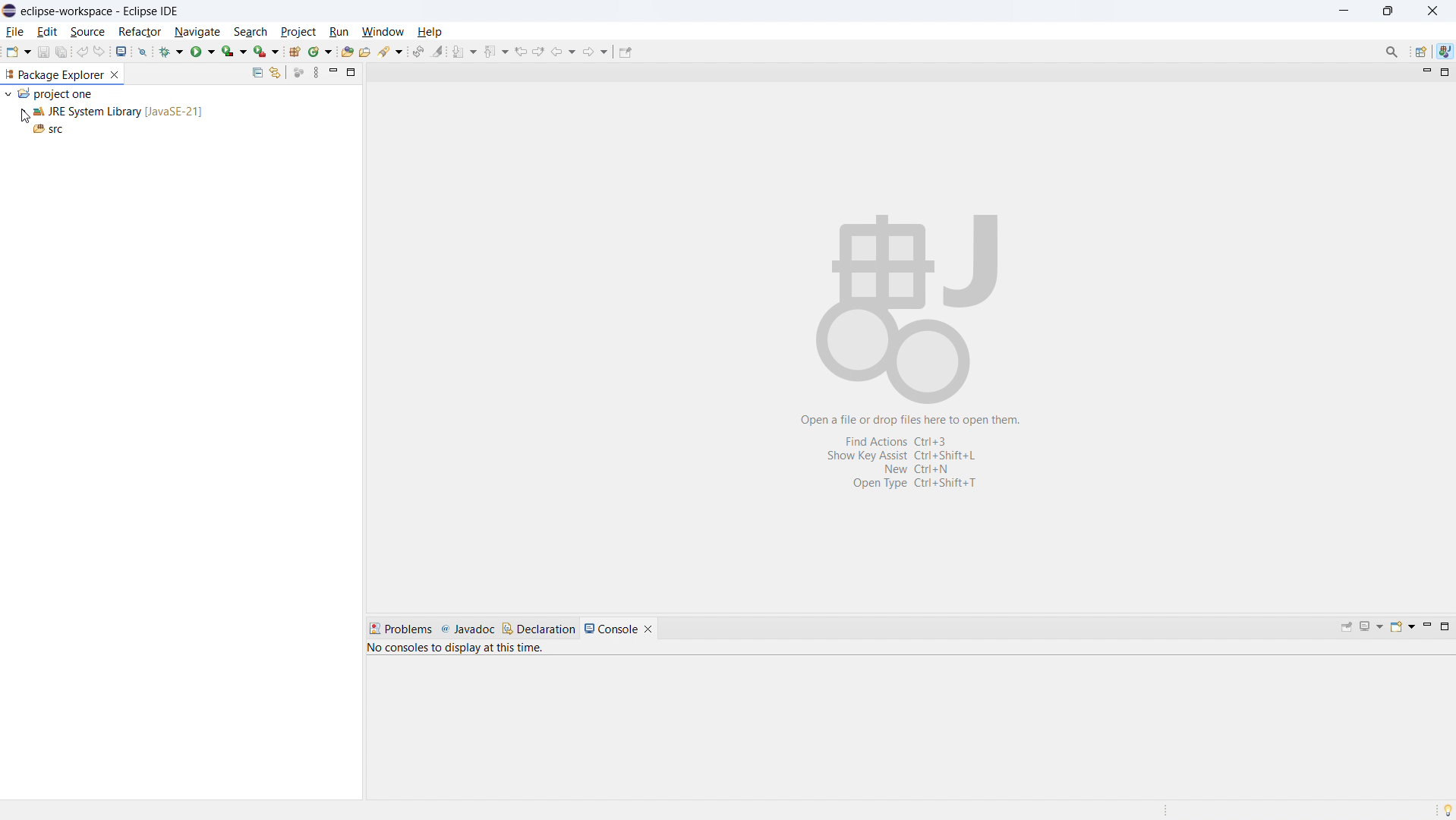 The width and height of the screenshot is (1456, 820). I want to click on project, so click(298, 30).